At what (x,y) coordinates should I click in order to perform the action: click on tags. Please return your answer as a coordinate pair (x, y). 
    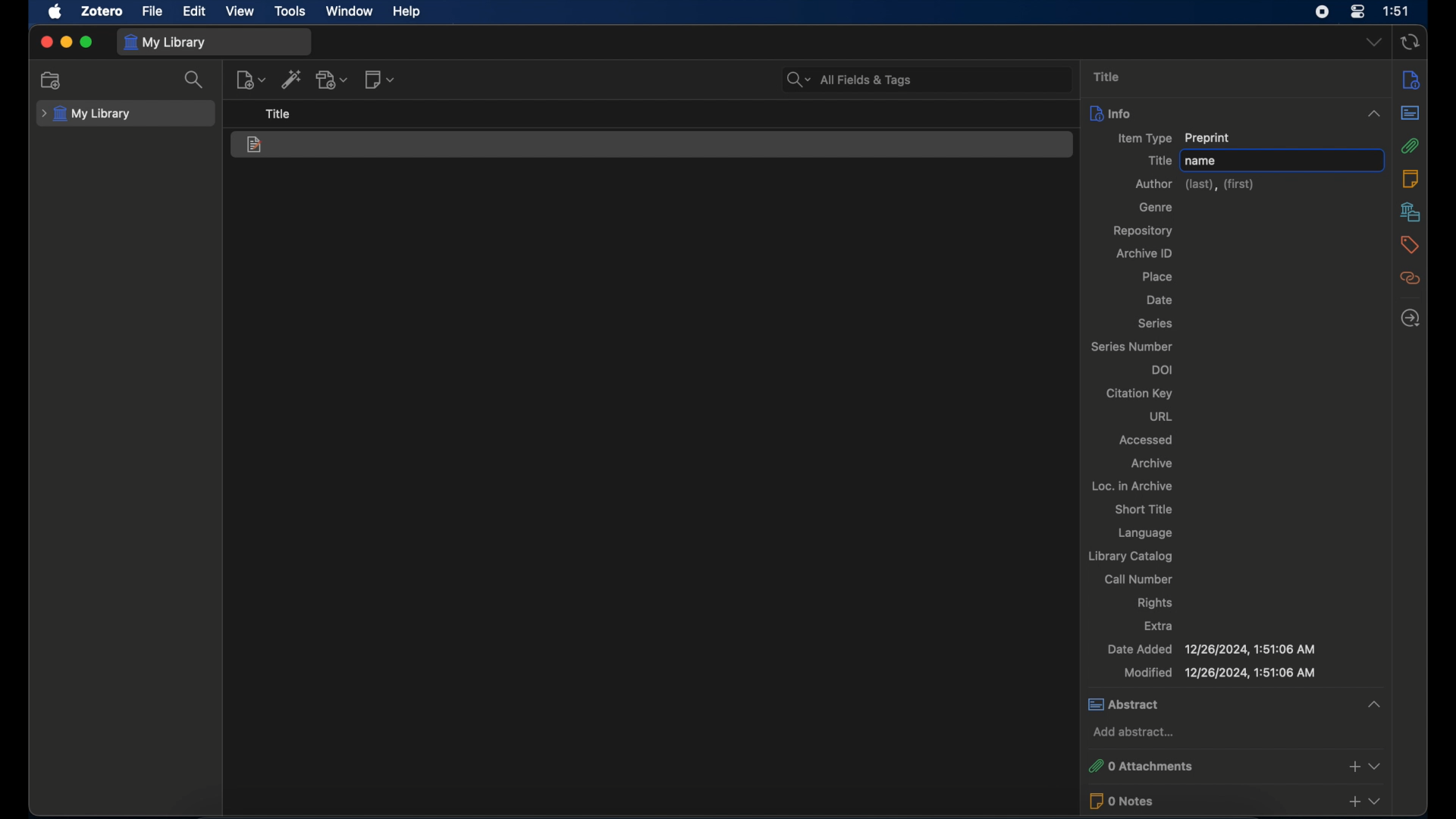
    Looking at the image, I should click on (1407, 245).